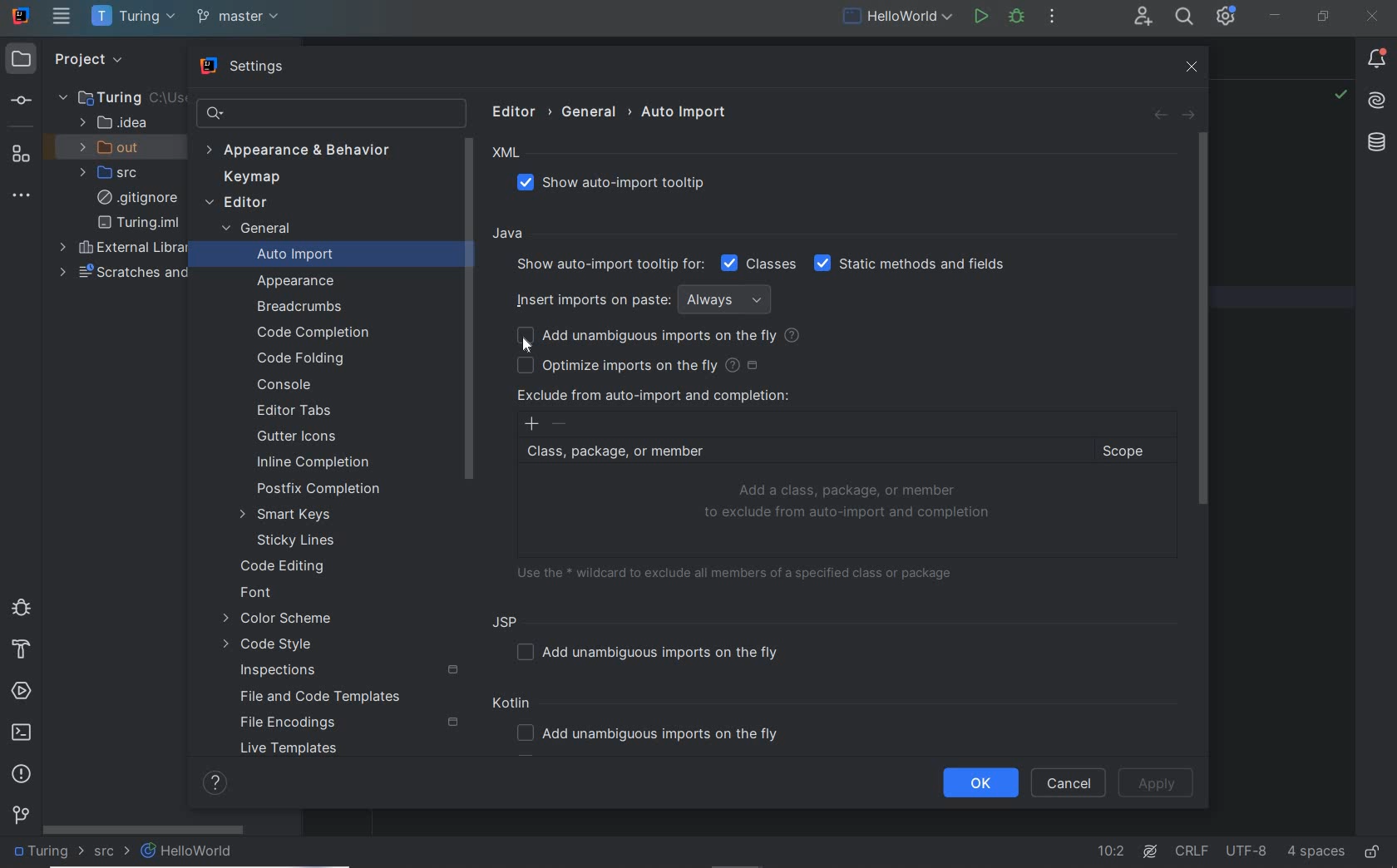 This screenshot has height=868, width=1397. Describe the element at coordinates (115, 173) in the screenshot. I see `src` at that location.